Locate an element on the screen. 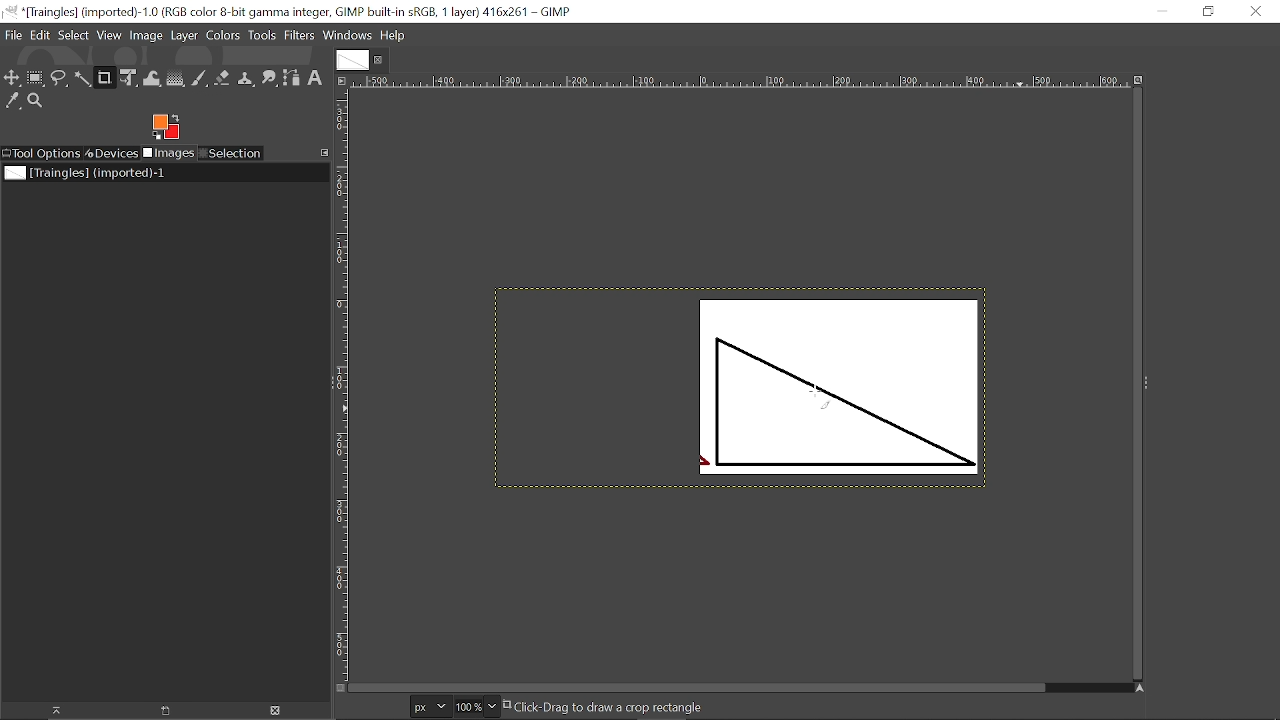 This screenshot has height=720, width=1280. Text tool is located at coordinates (1148, 263).